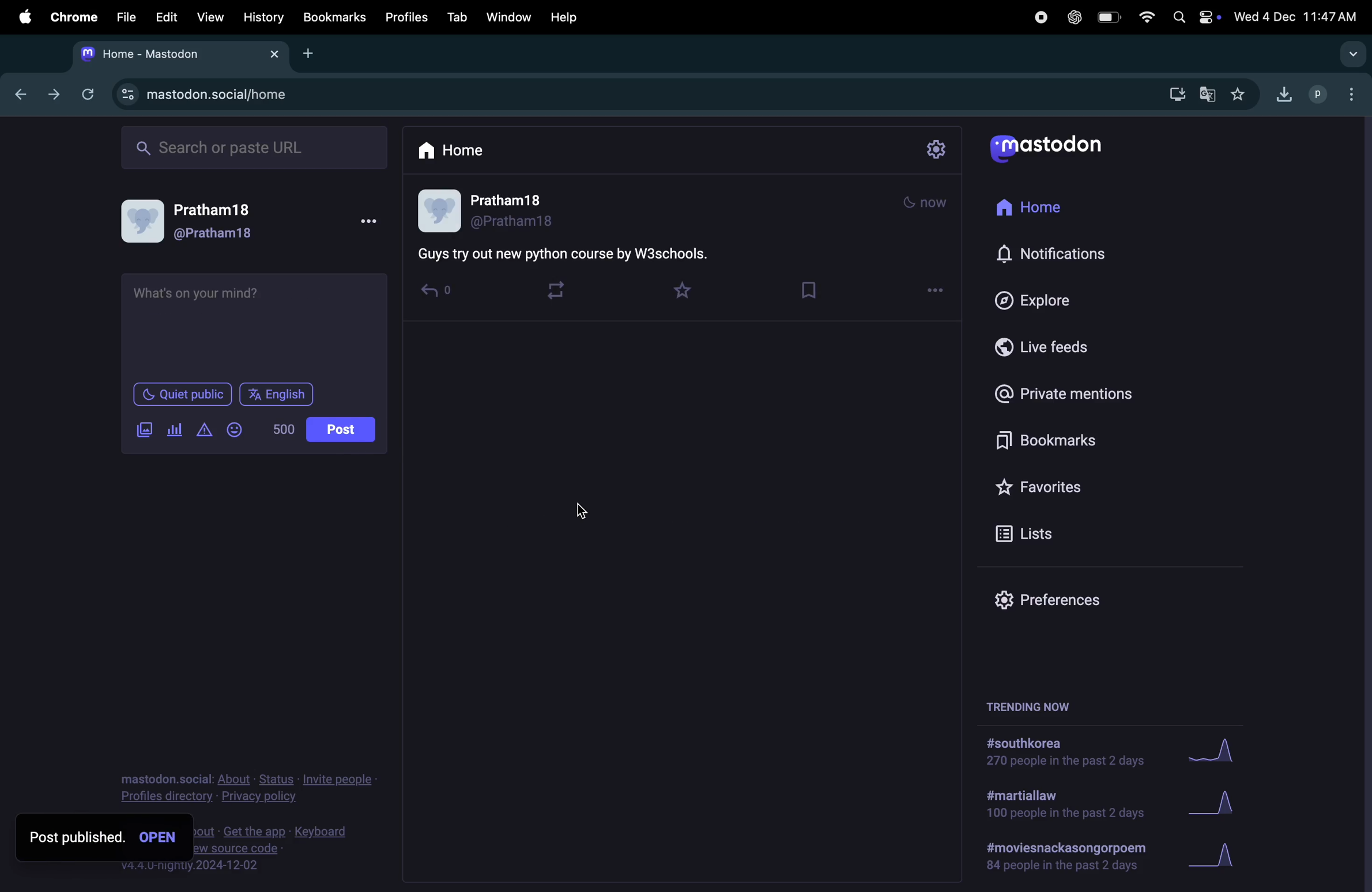 The width and height of the screenshot is (1372, 892). What do you see at coordinates (691, 288) in the screenshot?
I see `favourites` at bounding box center [691, 288].